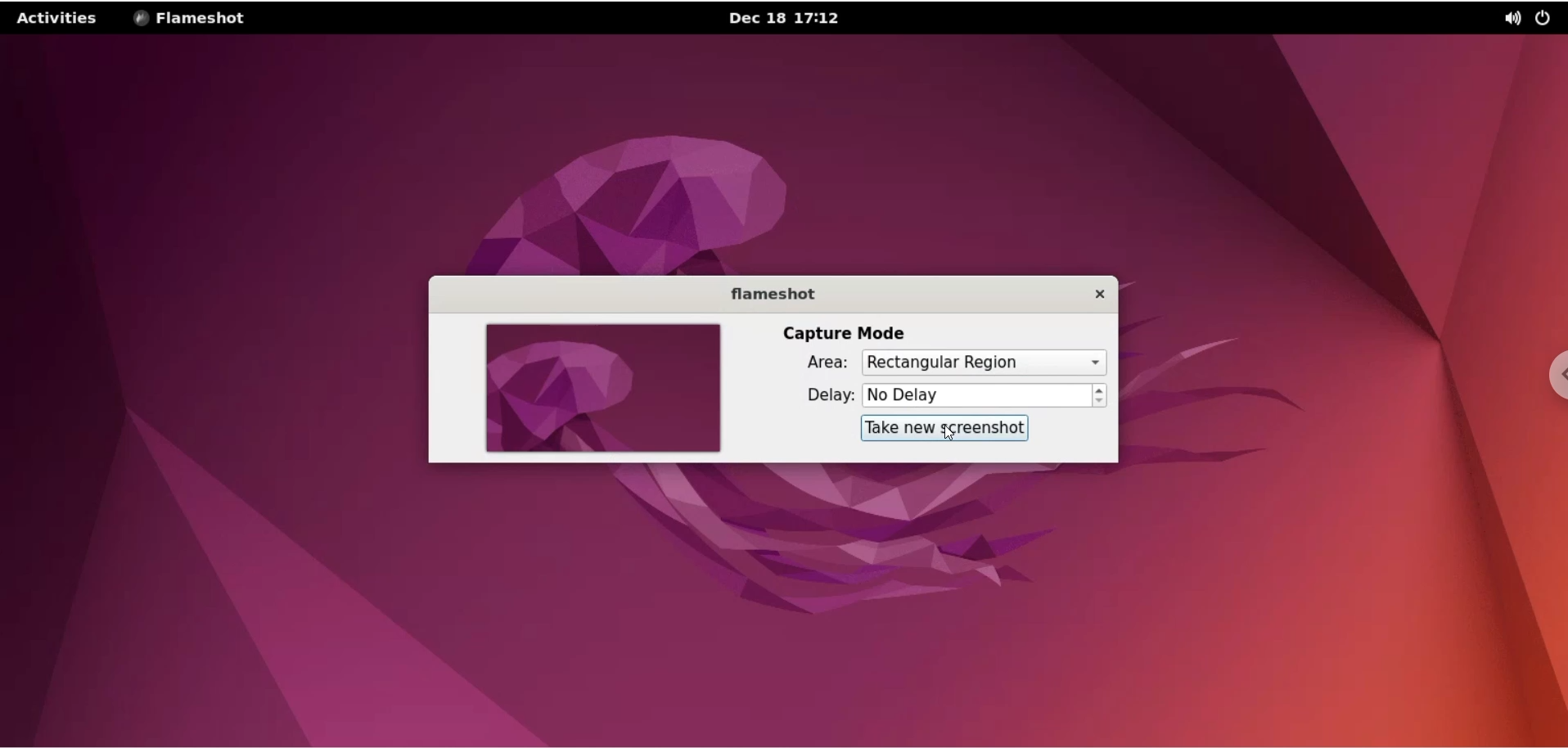 The height and width of the screenshot is (748, 1568). Describe the element at coordinates (1100, 396) in the screenshot. I see `increment and decrement delay buttons` at that location.